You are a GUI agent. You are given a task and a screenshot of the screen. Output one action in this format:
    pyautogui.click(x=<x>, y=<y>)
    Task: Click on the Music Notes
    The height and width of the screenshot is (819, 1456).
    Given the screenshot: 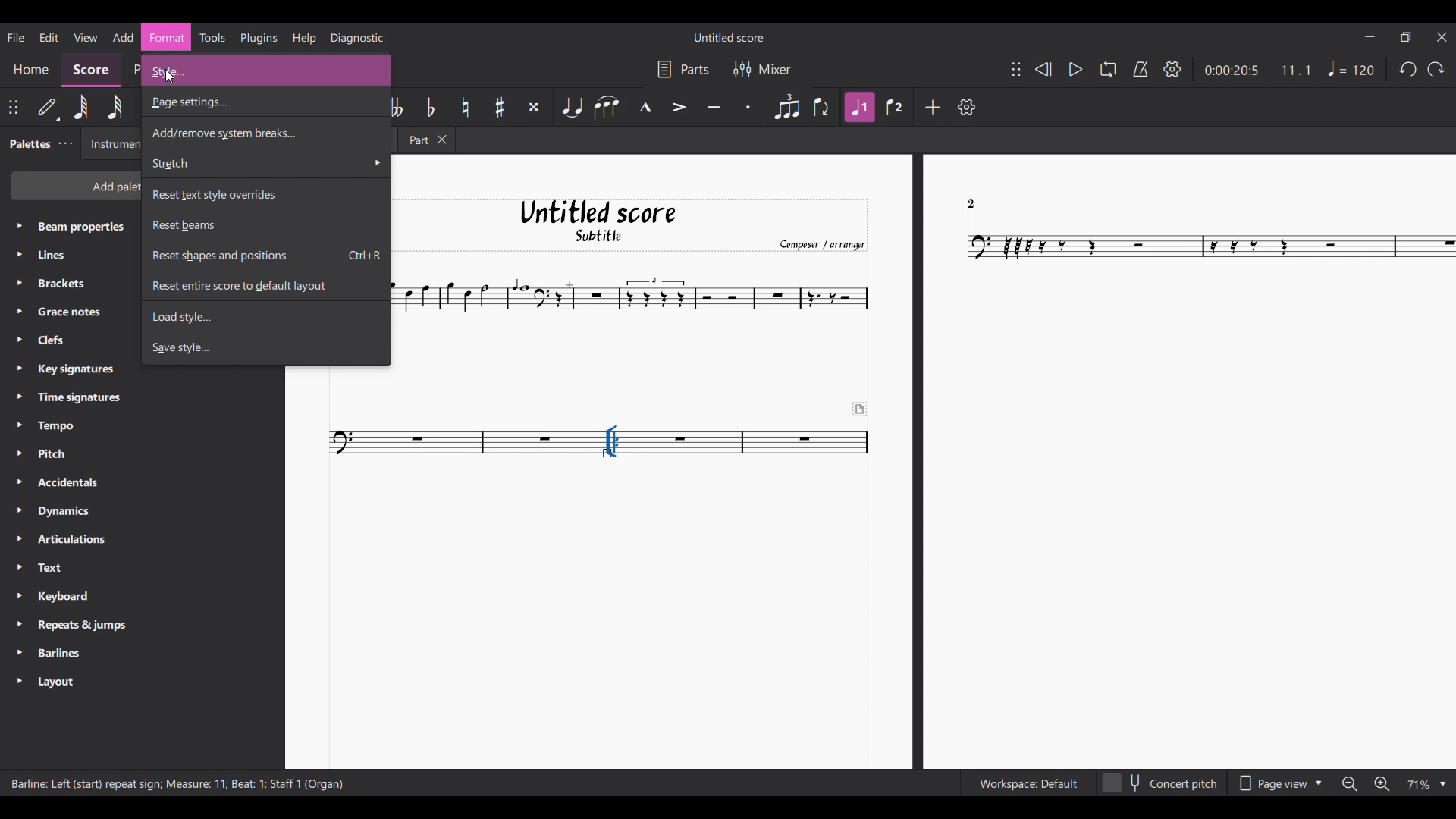 What is the action you would take?
    pyautogui.click(x=356, y=443)
    